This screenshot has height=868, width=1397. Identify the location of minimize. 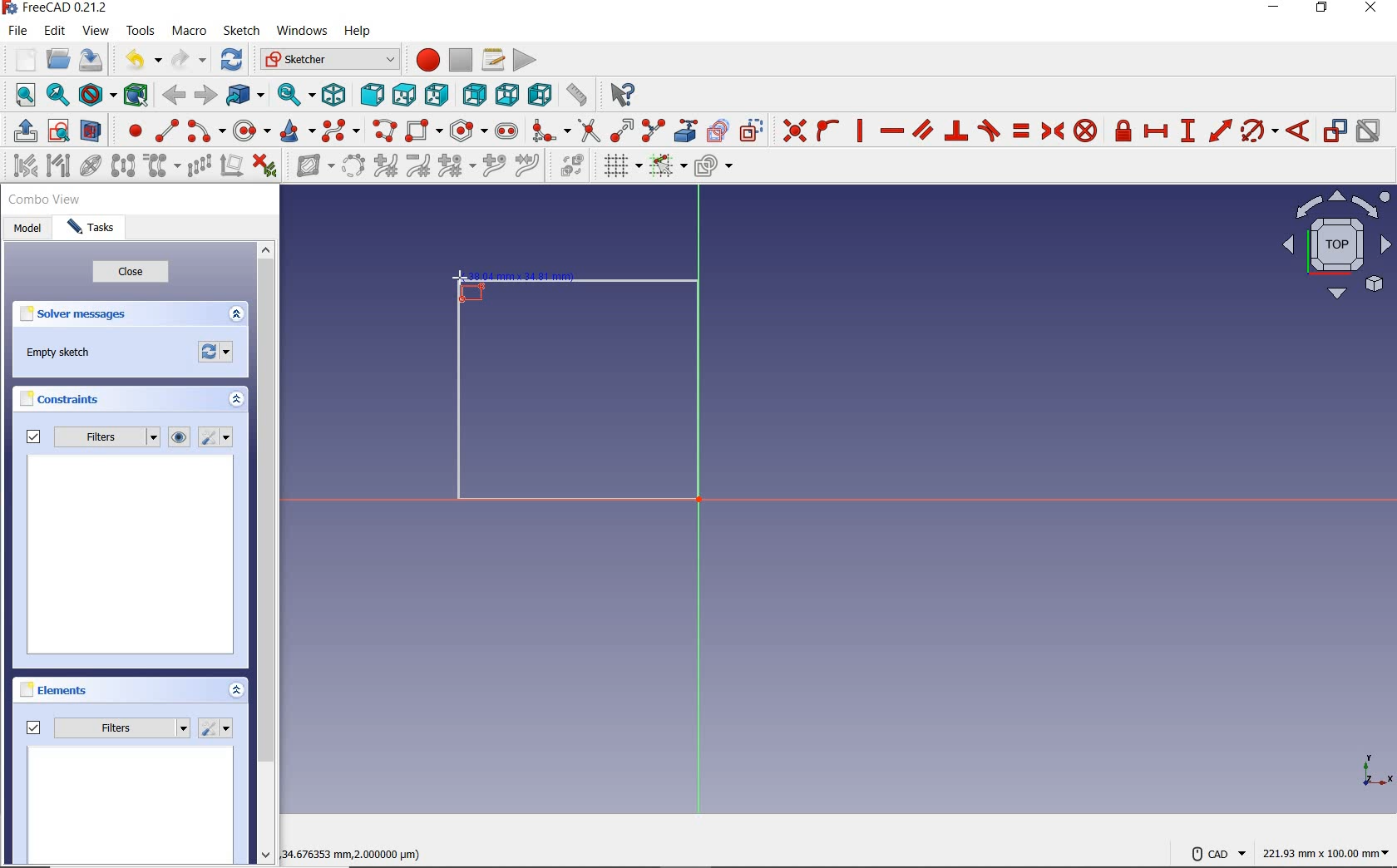
(1275, 11).